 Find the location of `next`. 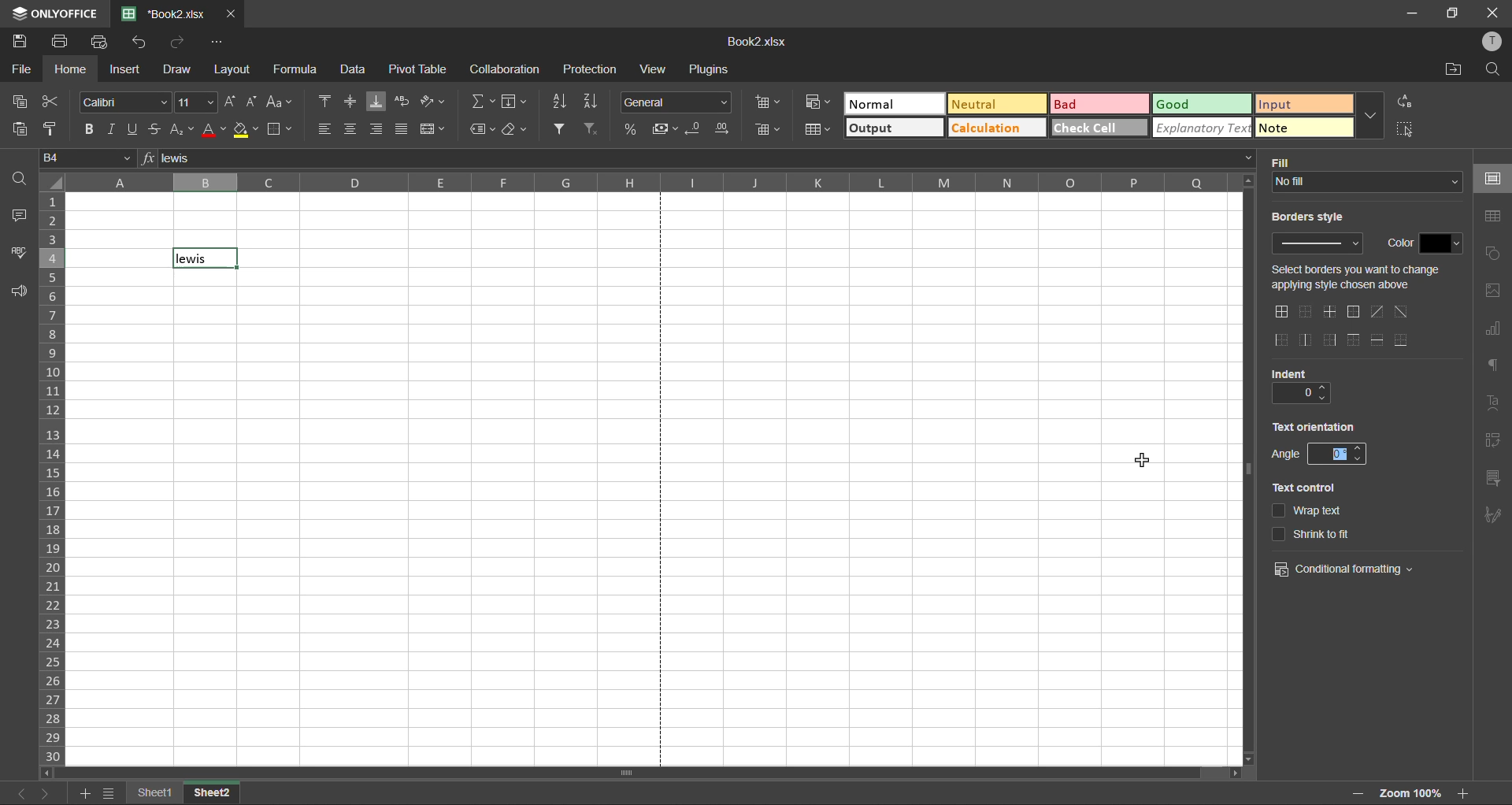

next is located at coordinates (45, 796).